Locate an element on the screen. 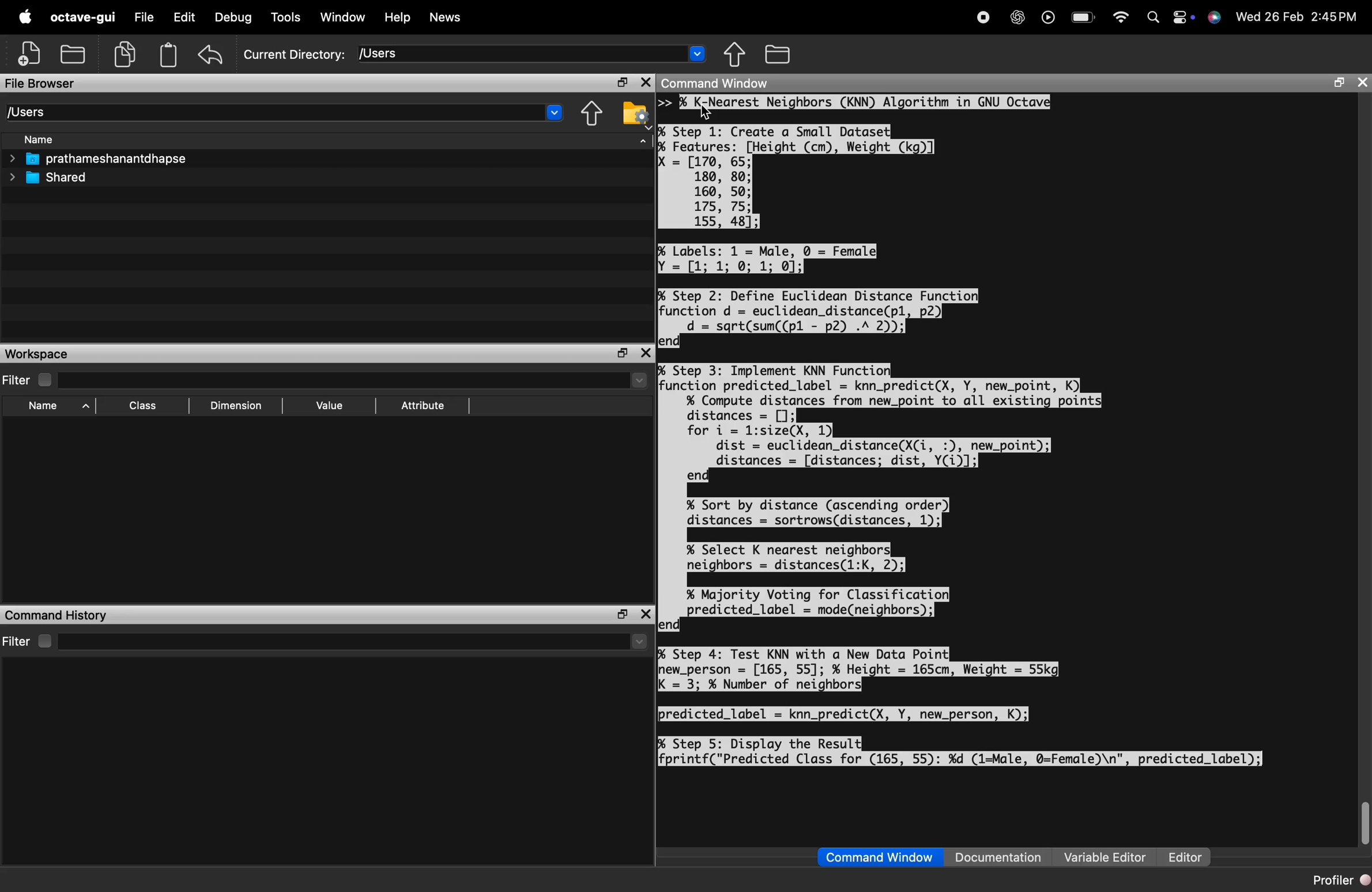 The image size is (1372, 892). >>
% Step 1: Create a Small Dataset]
% Features: [Height (cm), Weight (kg)]
= [170, 65;
180, 80;
160, 50;
175, 75;
155, 48];
= [1; 1: 9: 1: 0];
% Step 2: Define Euclidean Distance Function
function d = euclidean_distance(pl, p2)
d = sgrt(sum((pl - p2) .A 2));
end]
% Step 3: Implement KNN Function
function predicted_label = knn_predict(X, Y, new_point, K)
% Compute distances from new_point to all existing point
distances = [];
for i = l:size(X, 1)
dist = euclidean_distance(X(i, :), new_point);
distances = [distances; dist, Y(i)];
end
% Sort by distance (ascending order)
distances = sortrows(distances, 1); is located at coordinates (923, 308).